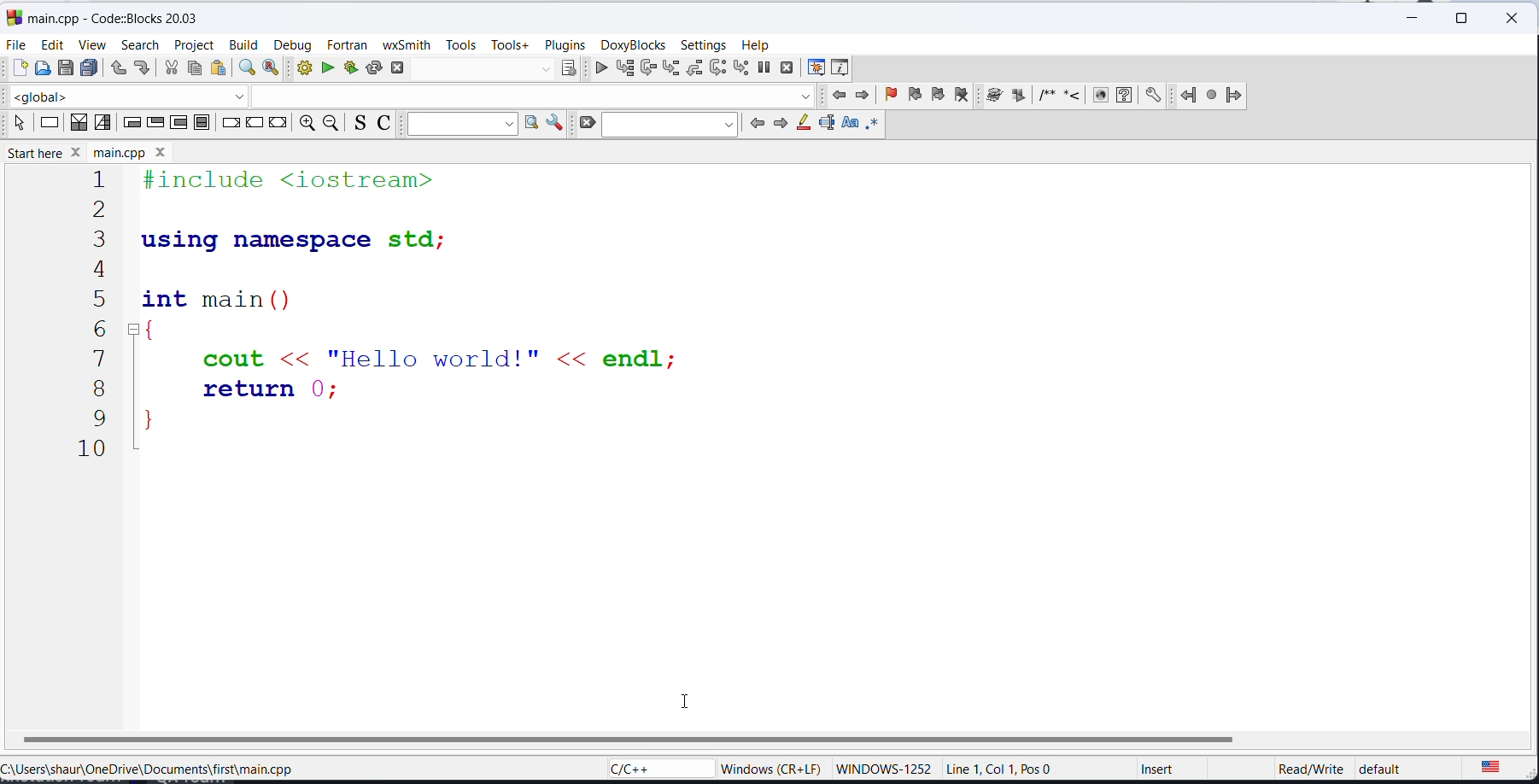 The height and width of the screenshot is (784, 1539). Describe the element at coordinates (936, 96) in the screenshot. I see `next bookmark` at that location.